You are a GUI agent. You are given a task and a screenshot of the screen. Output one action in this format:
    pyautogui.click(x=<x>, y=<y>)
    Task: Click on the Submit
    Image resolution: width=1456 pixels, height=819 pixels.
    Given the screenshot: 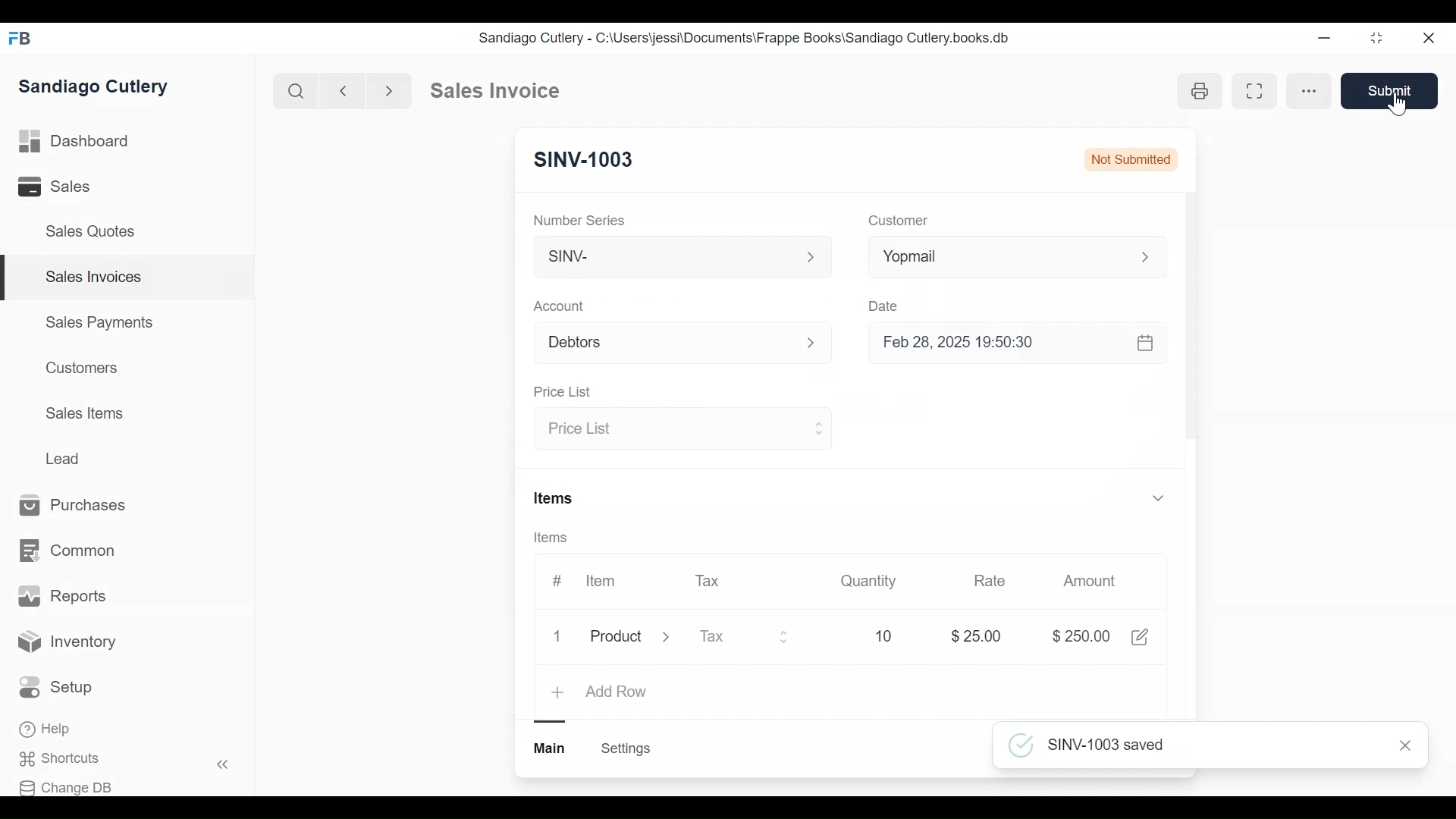 What is the action you would take?
    pyautogui.click(x=1391, y=91)
    